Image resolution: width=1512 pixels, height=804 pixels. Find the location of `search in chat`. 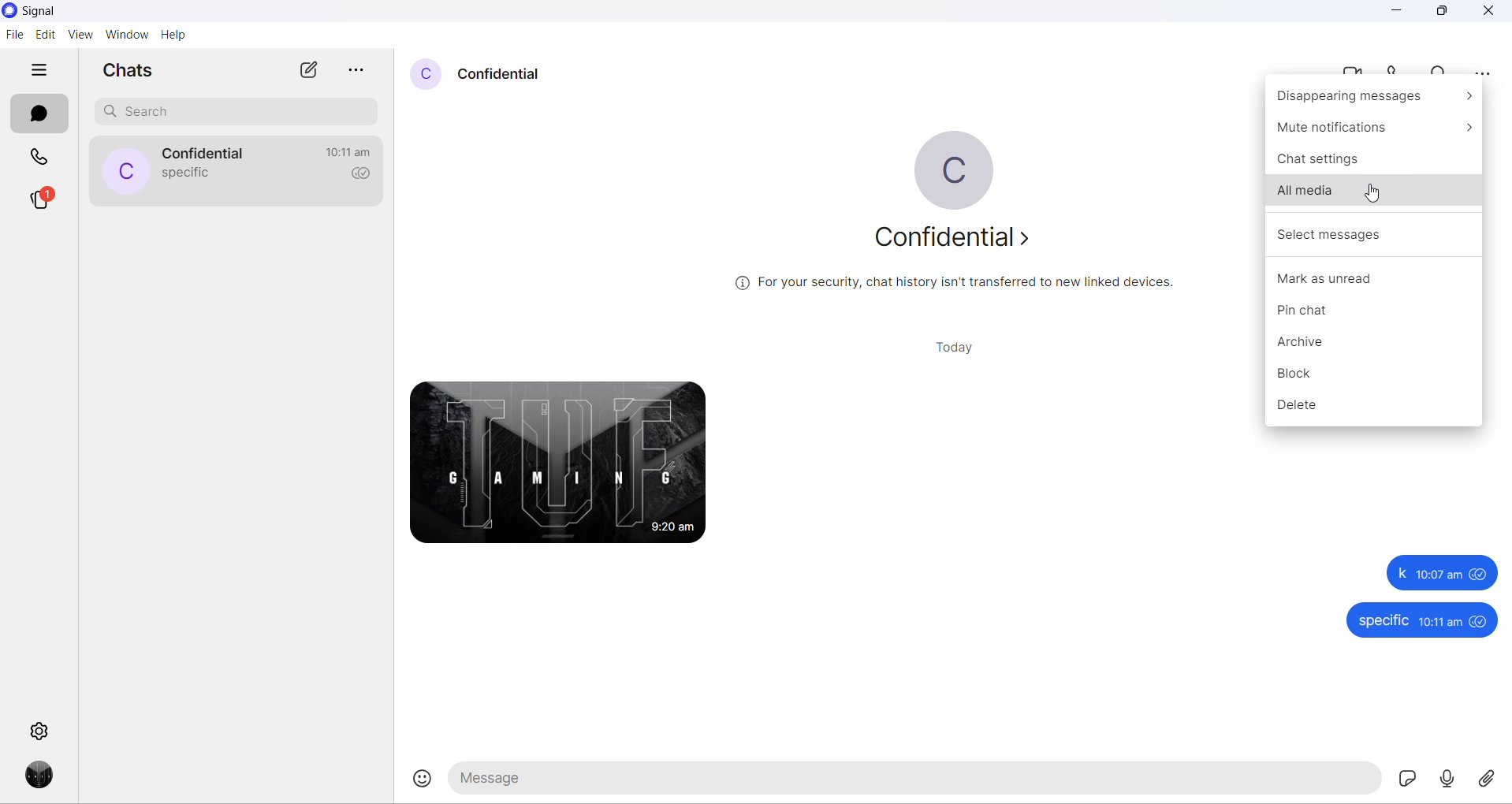

search in chat is located at coordinates (1447, 67).